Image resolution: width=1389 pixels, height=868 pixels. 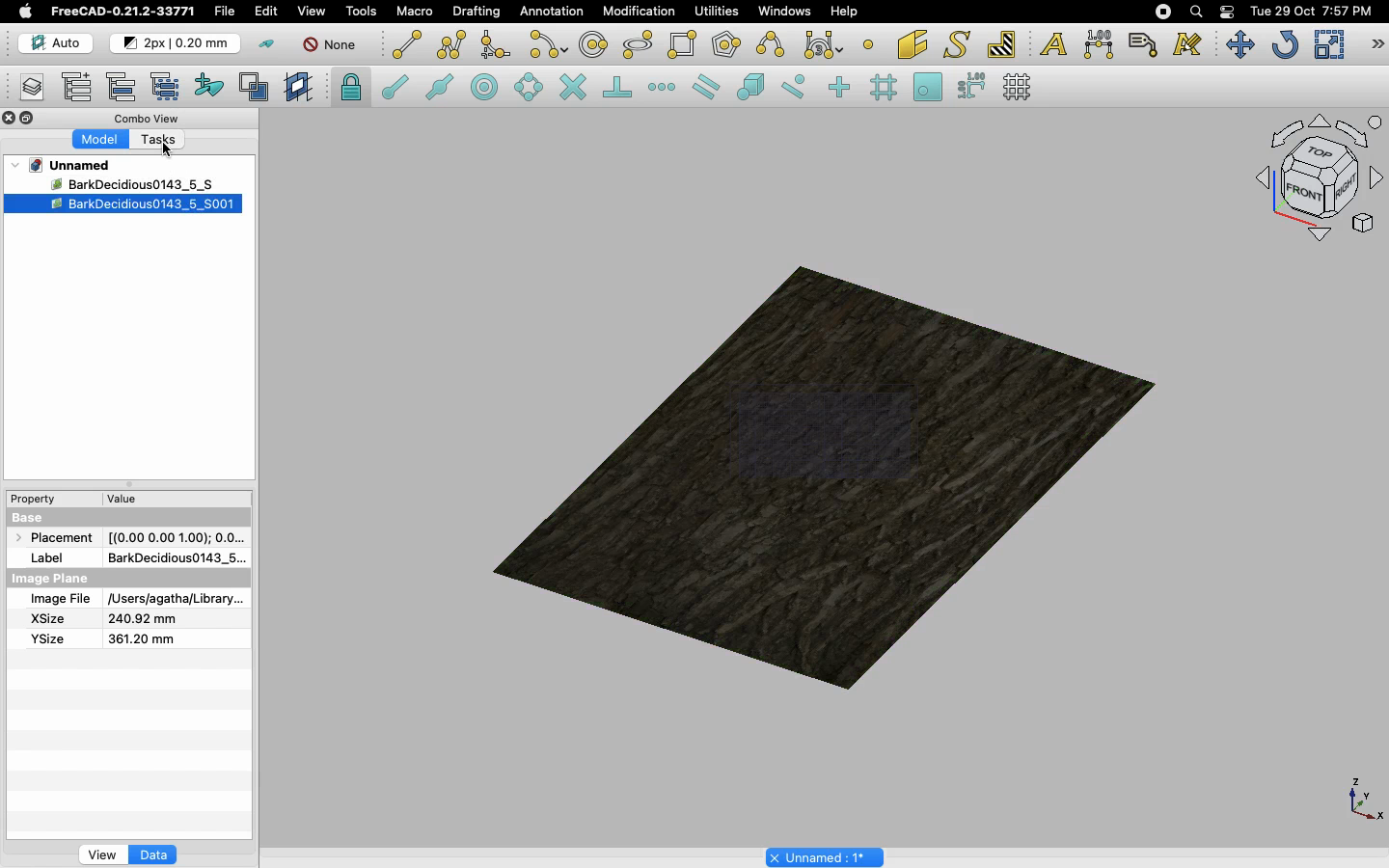 What do you see at coordinates (441, 90) in the screenshot?
I see `Snap midpoint` at bounding box center [441, 90].